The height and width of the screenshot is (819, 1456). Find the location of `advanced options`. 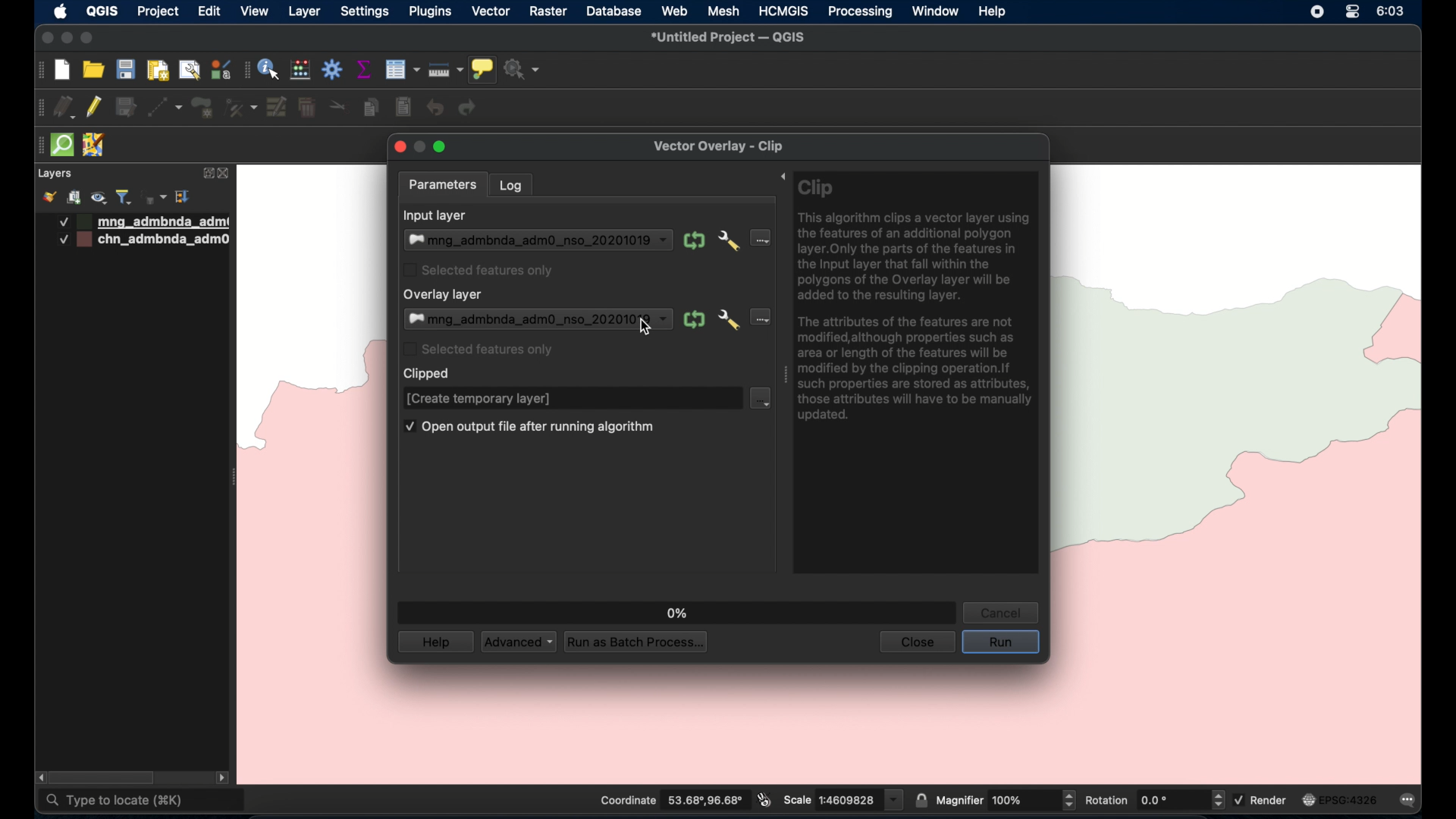

advanced options is located at coordinates (728, 241).